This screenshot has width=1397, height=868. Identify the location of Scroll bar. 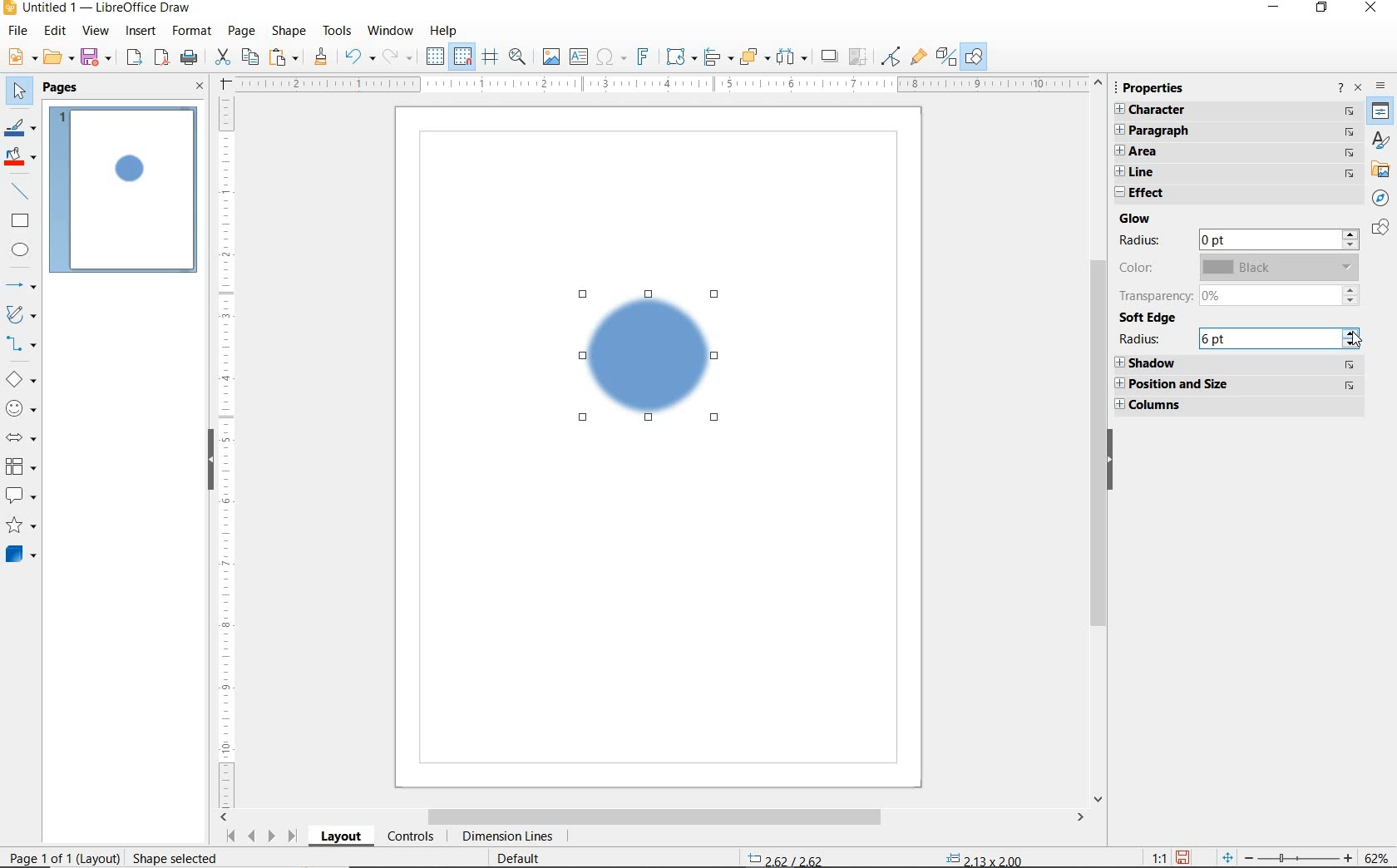
(1096, 442).